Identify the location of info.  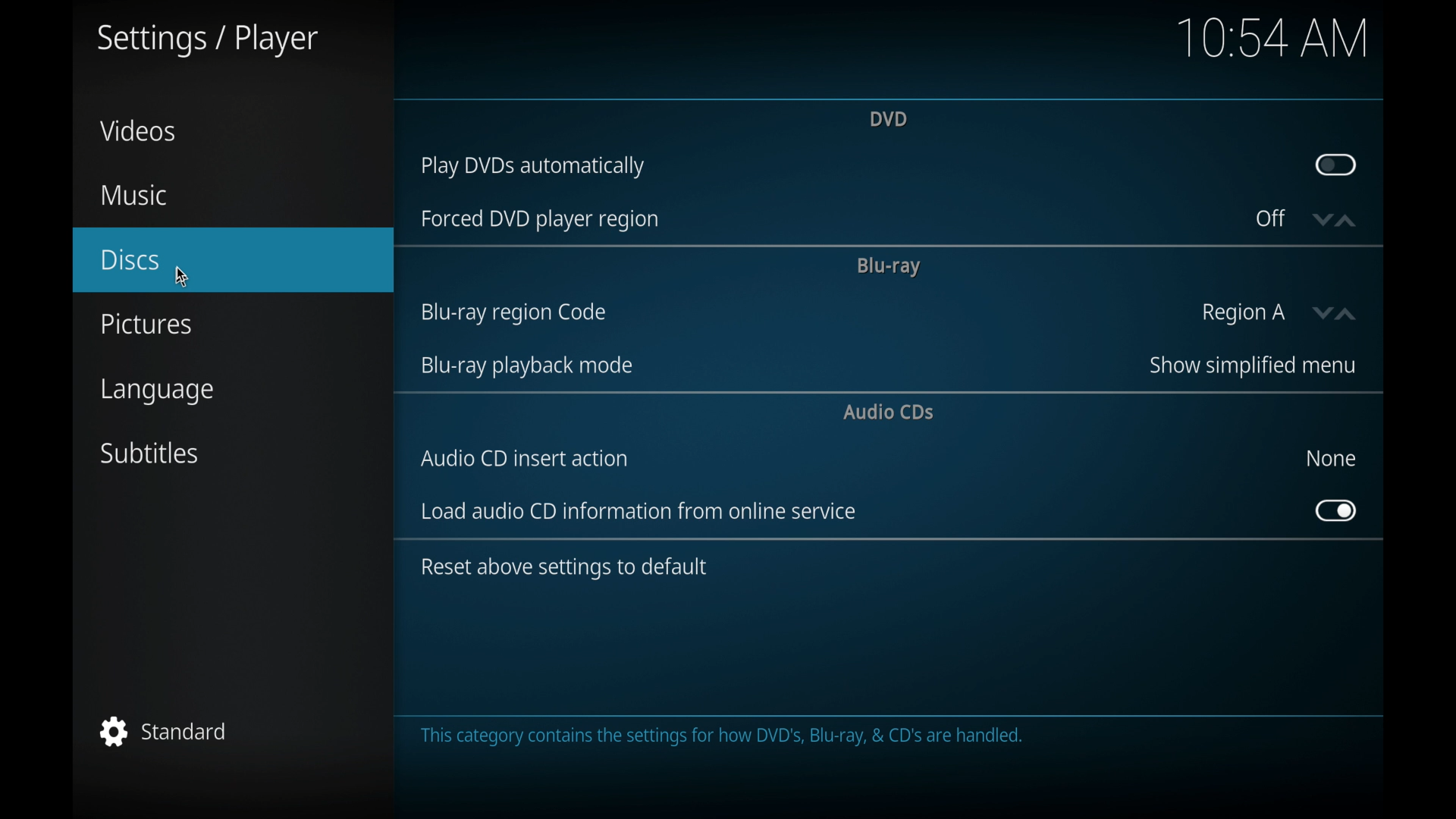
(563, 568).